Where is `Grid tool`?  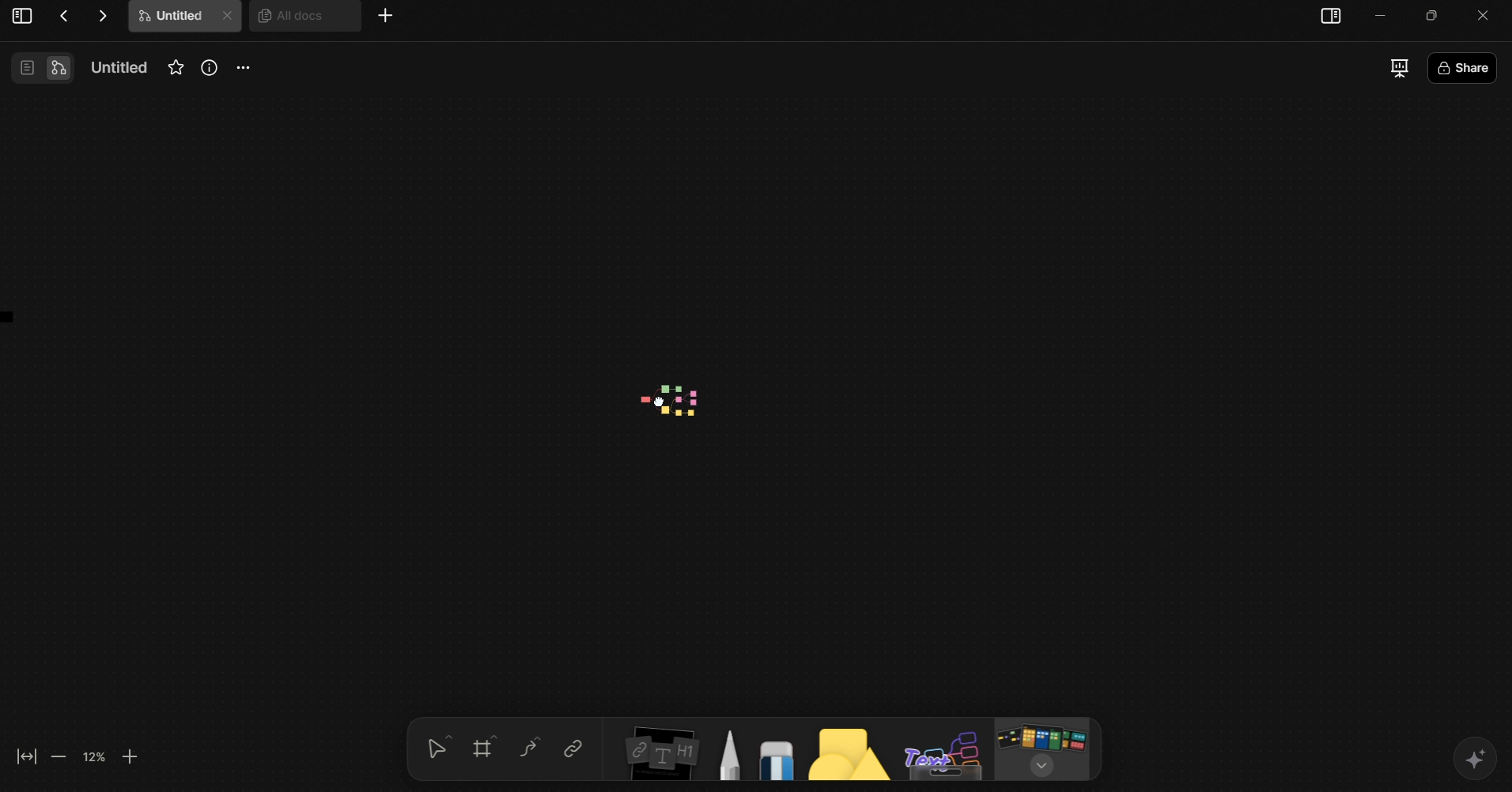 Grid tool is located at coordinates (483, 749).